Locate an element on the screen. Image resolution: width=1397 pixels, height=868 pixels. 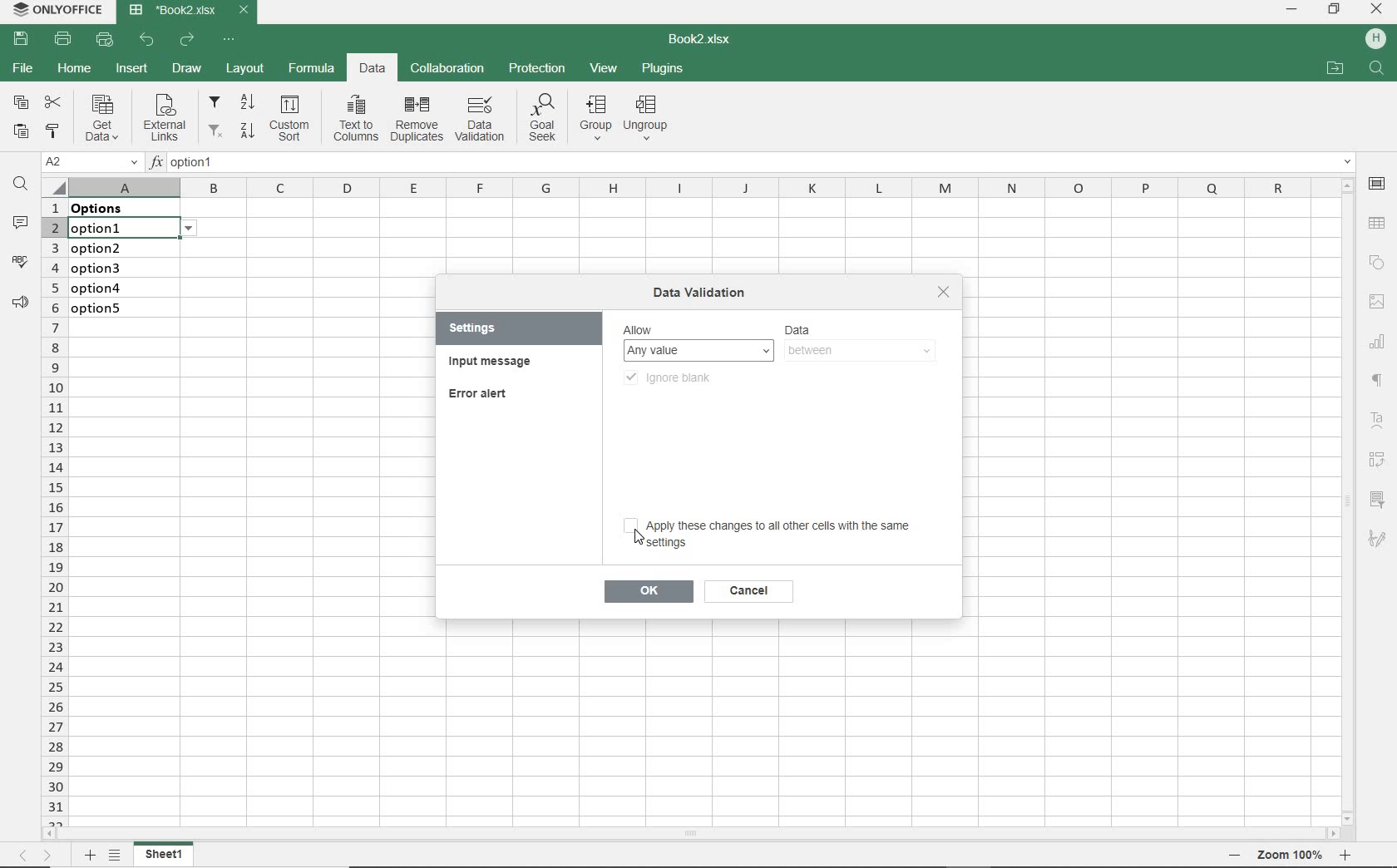
INSERT FUNCTION is located at coordinates (752, 165).